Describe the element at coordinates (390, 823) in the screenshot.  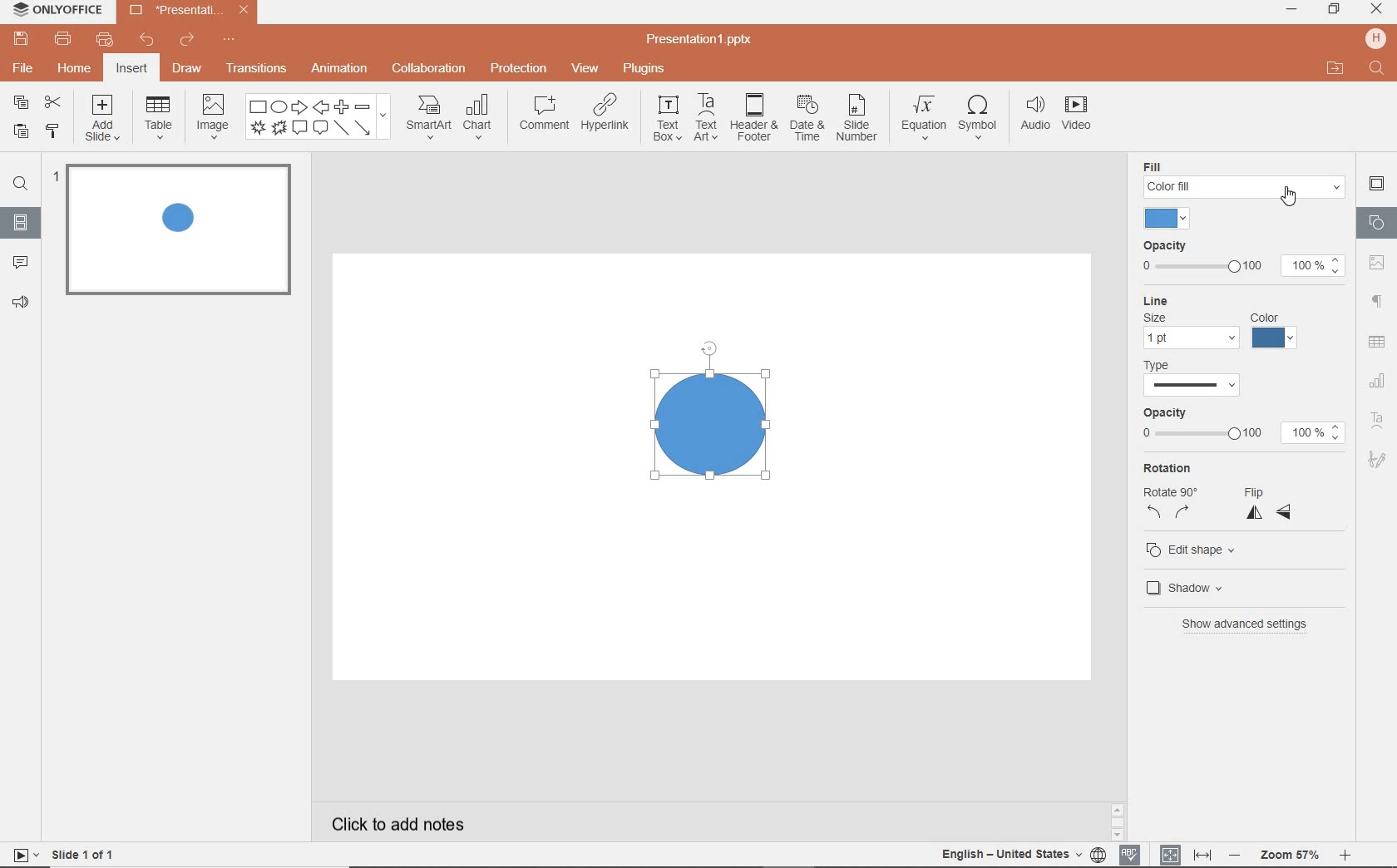
I see `click to add notes` at that location.